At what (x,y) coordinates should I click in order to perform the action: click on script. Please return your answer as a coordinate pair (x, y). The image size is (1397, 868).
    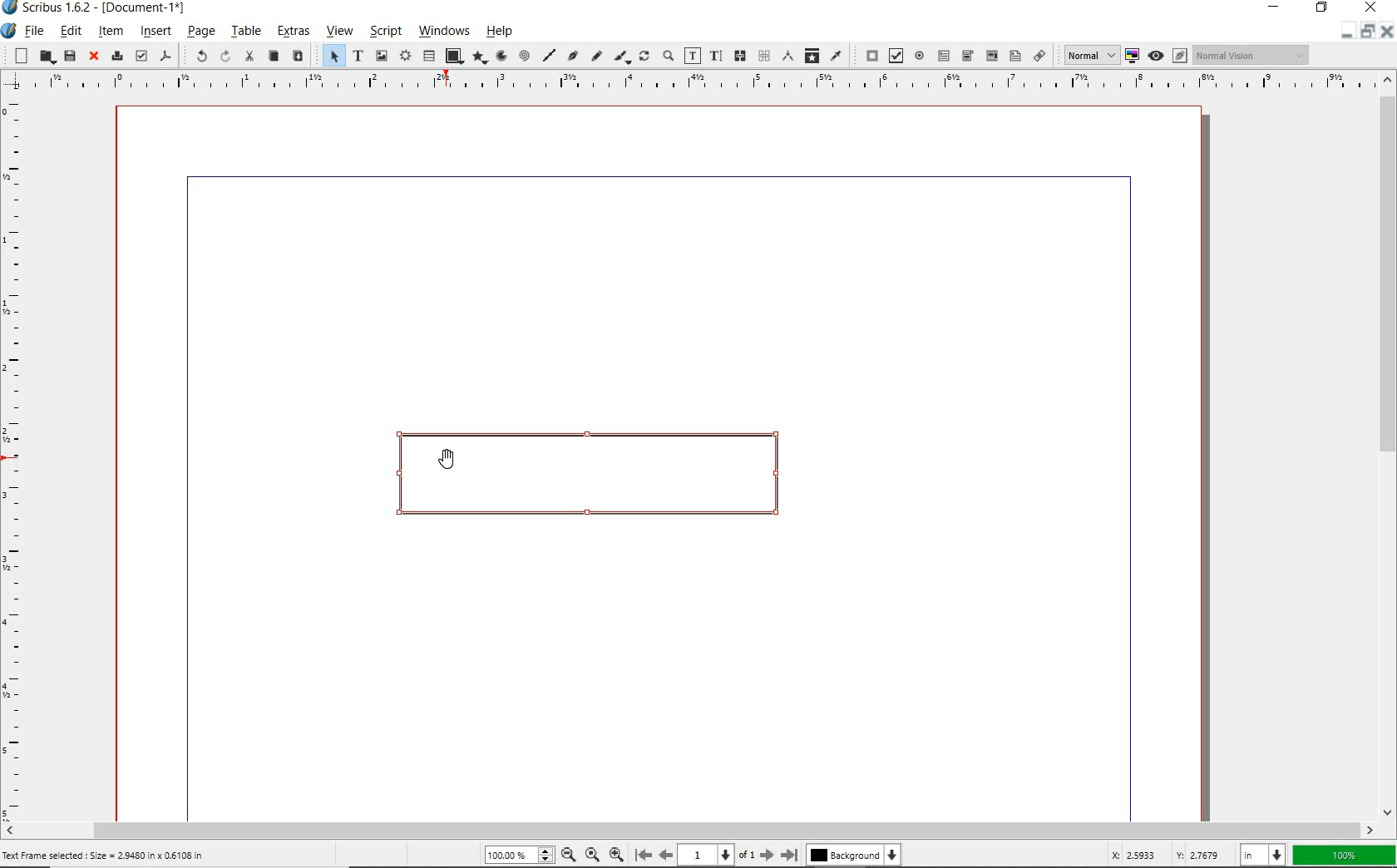
    Looking at the image, I should click on (383, 32).